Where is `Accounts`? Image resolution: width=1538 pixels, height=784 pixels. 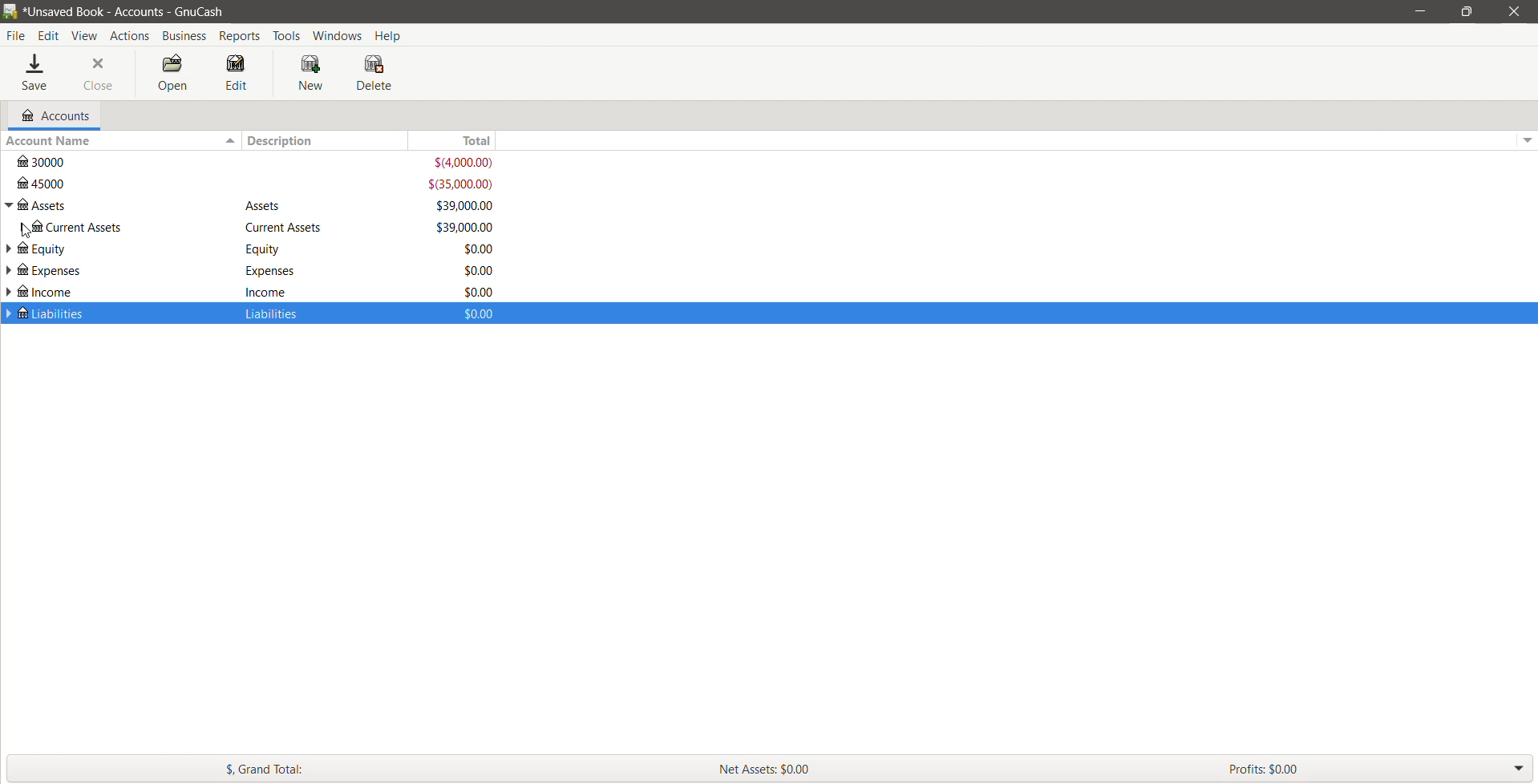 Accounts is located at coordinates (51, 115).